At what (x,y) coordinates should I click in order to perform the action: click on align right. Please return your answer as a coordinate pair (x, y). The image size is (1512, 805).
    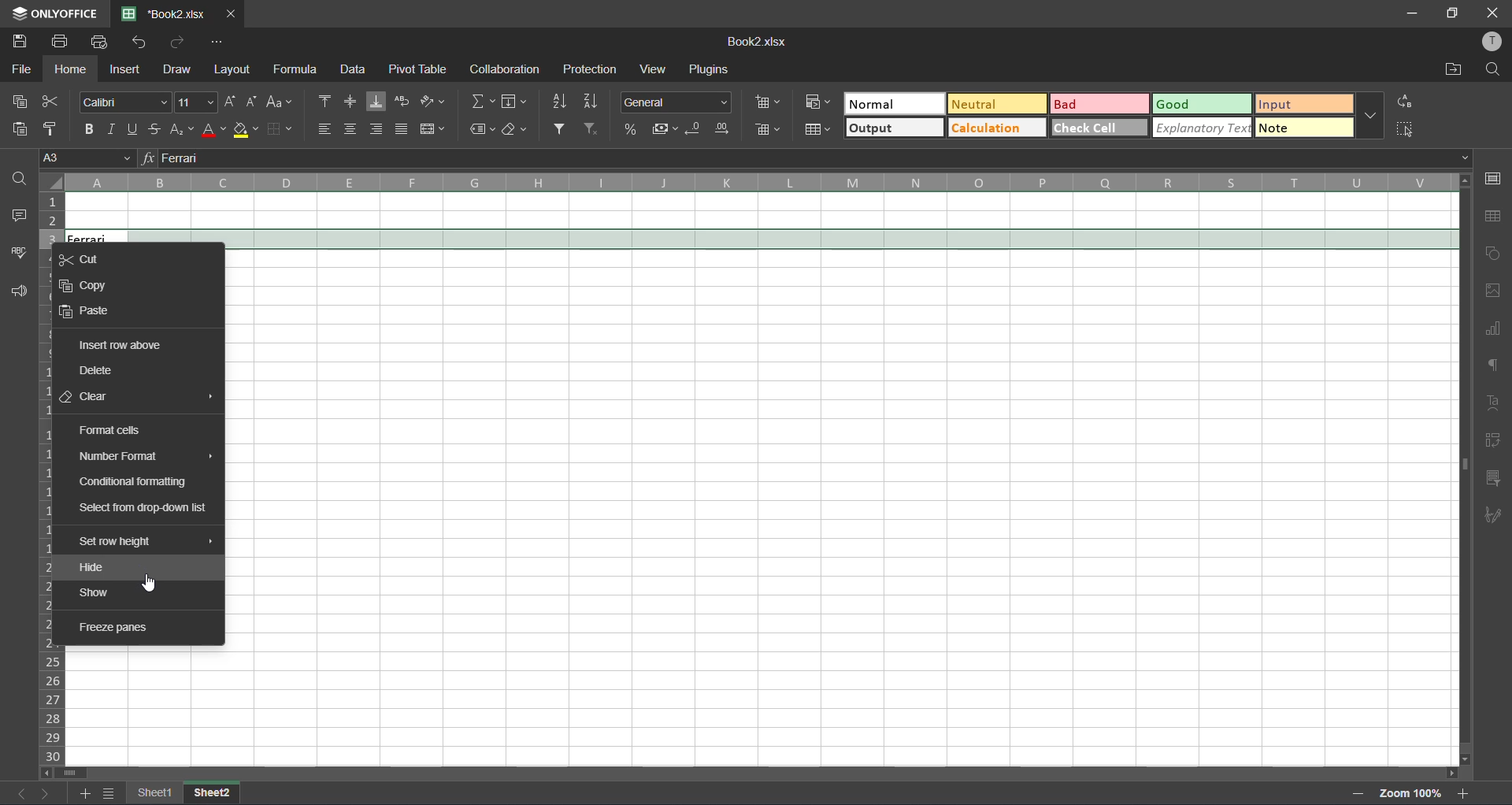
    Looking at the image, I should click on (376, 128).